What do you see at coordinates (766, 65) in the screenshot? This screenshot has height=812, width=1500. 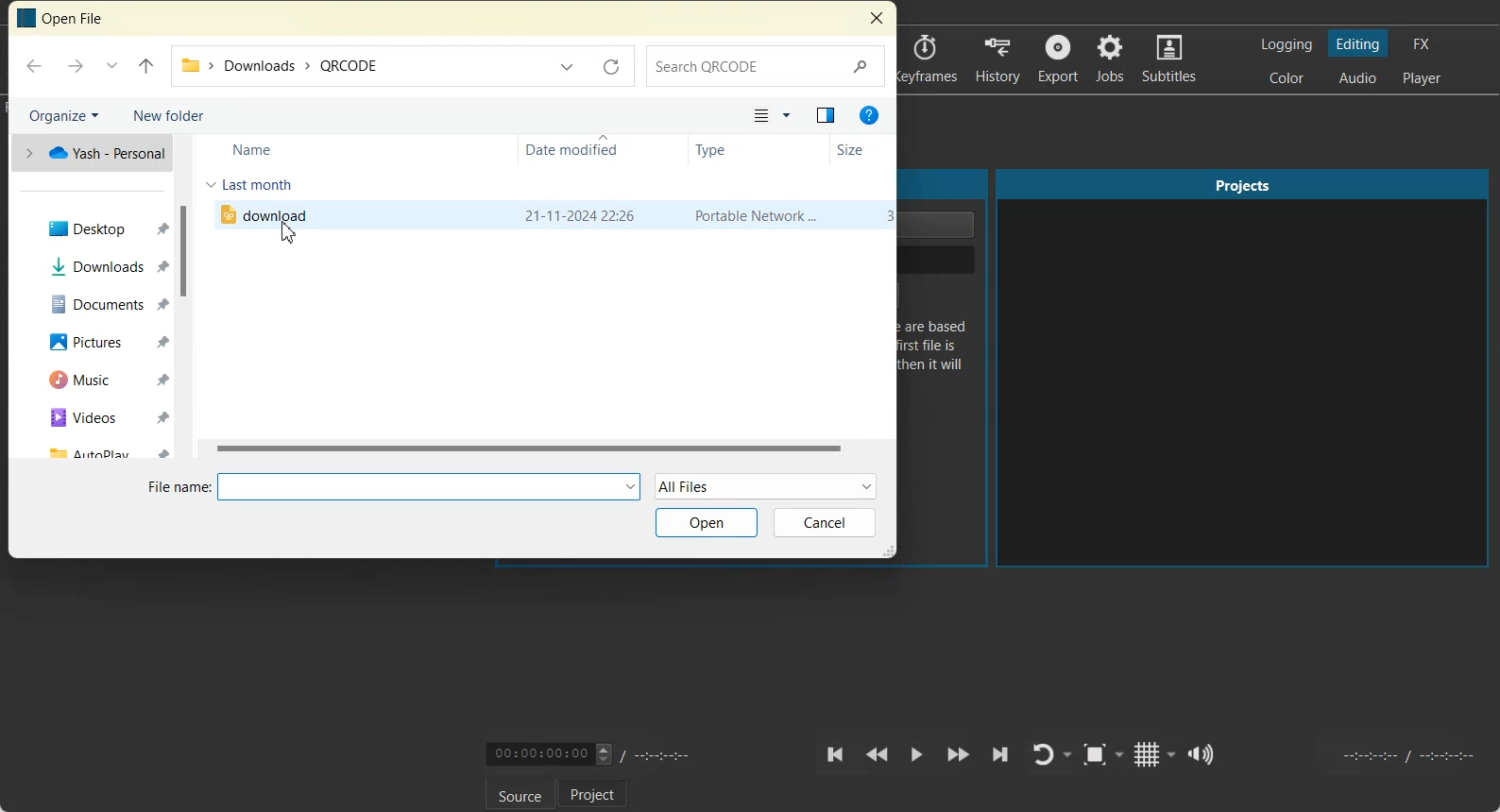 I see `Search Bar` at bounding box center [766, 65].